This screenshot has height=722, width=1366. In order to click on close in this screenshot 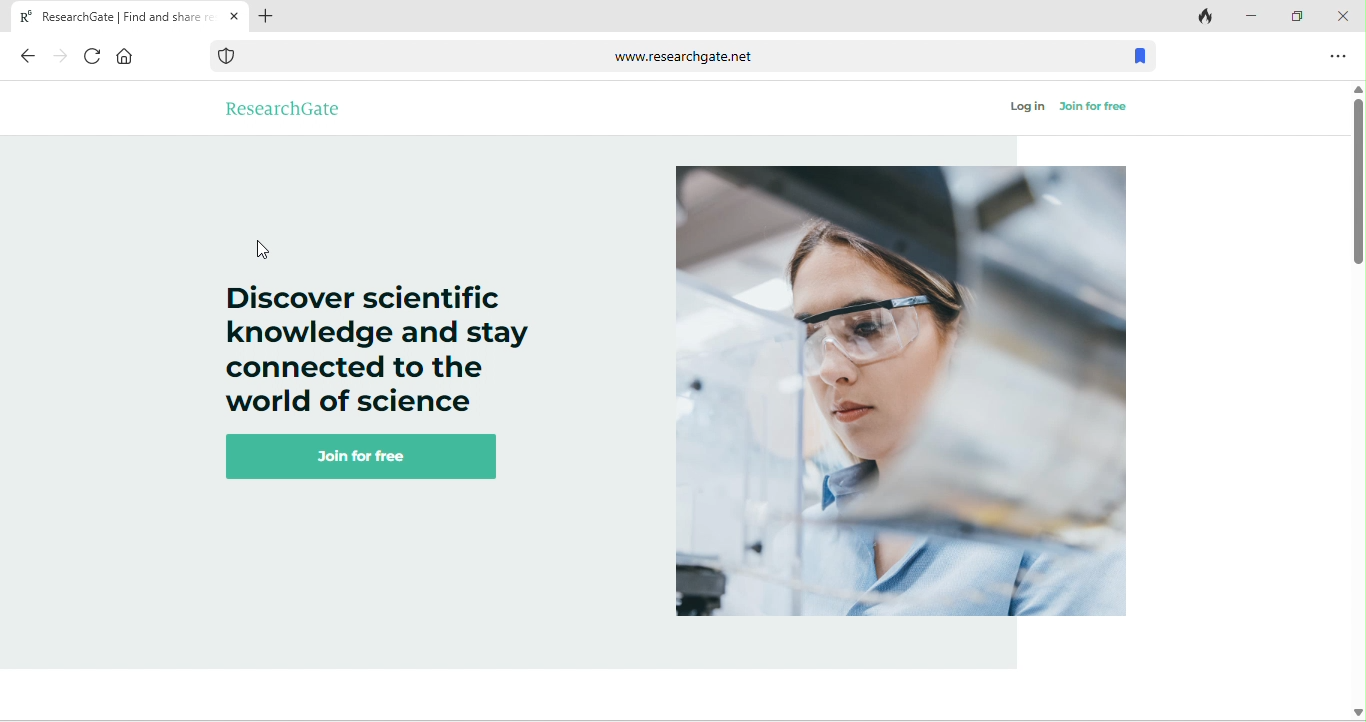, I will do `click(1342, 14)`.